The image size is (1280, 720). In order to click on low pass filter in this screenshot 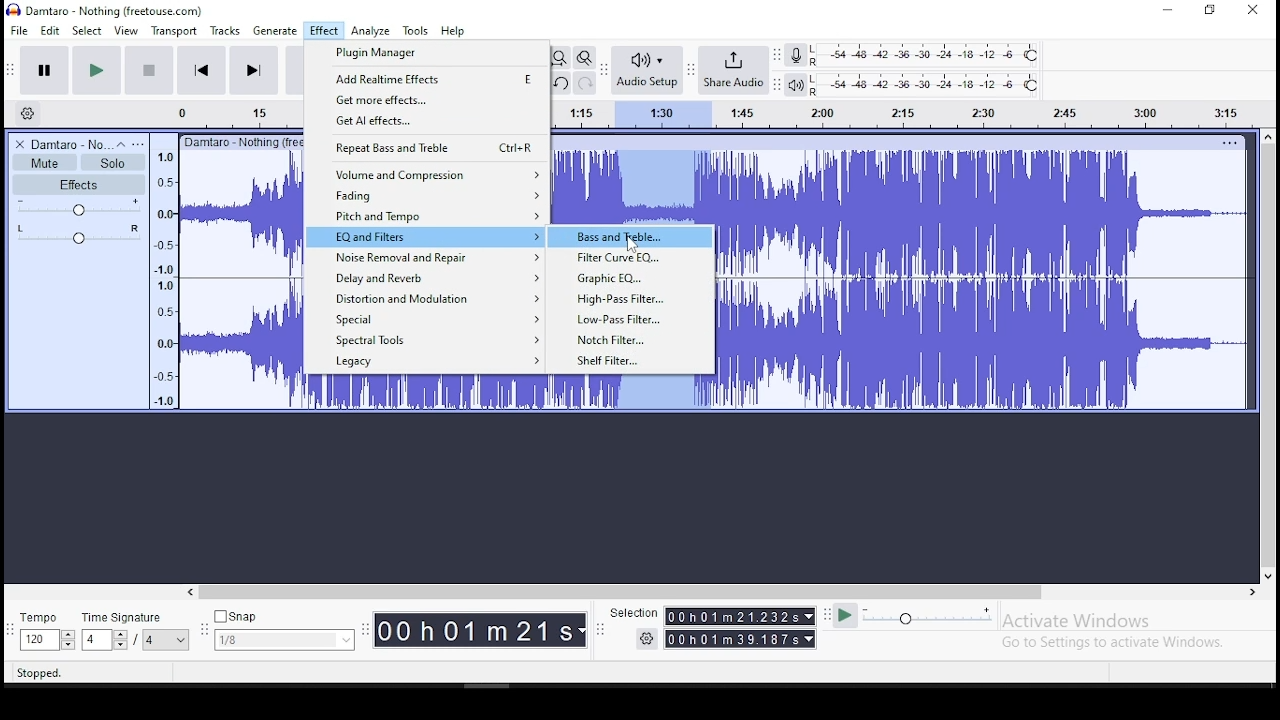, I will do `click(634, 319)`.